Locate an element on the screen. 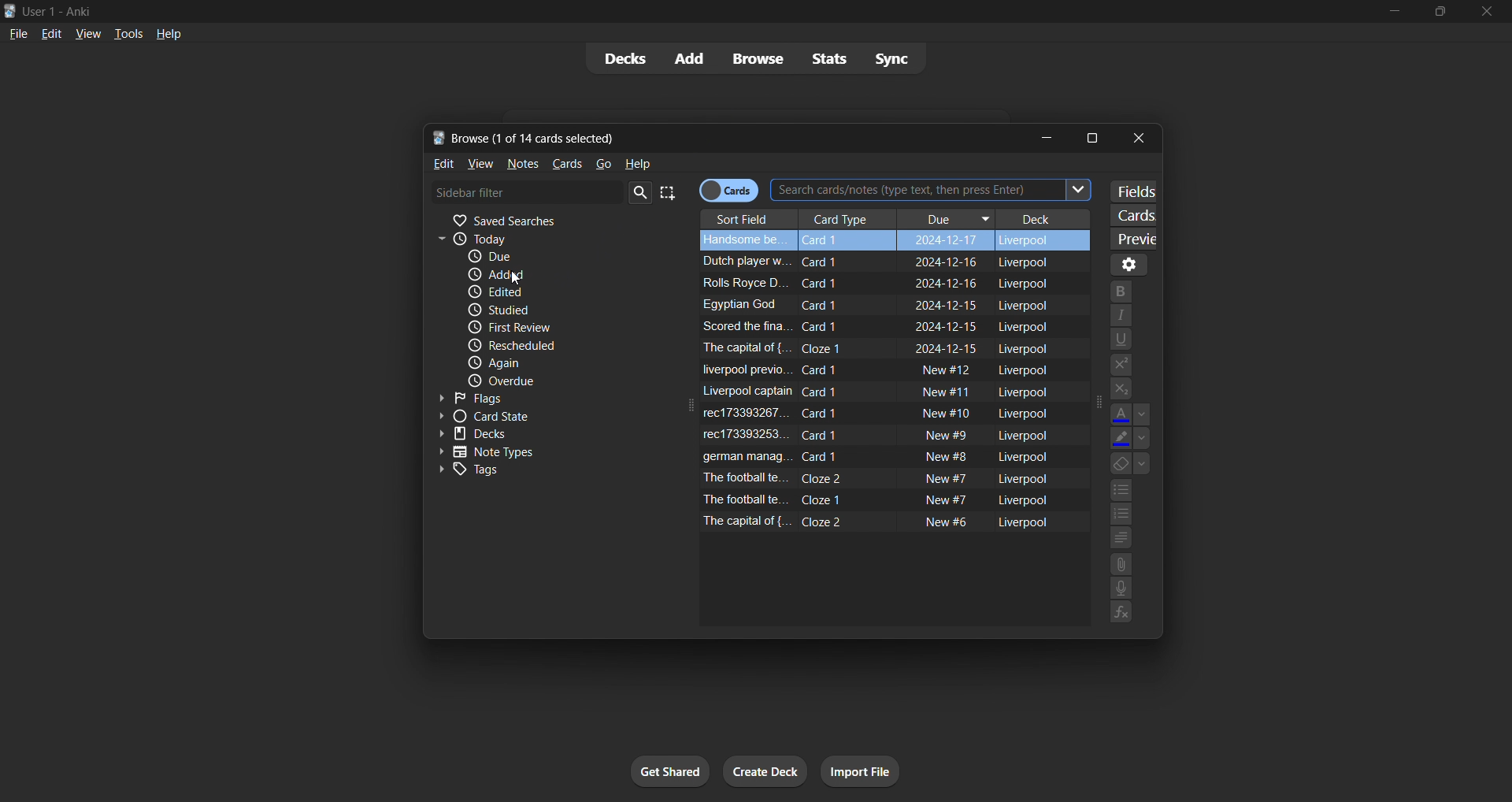  search cards is located at coordinates (937, 190).